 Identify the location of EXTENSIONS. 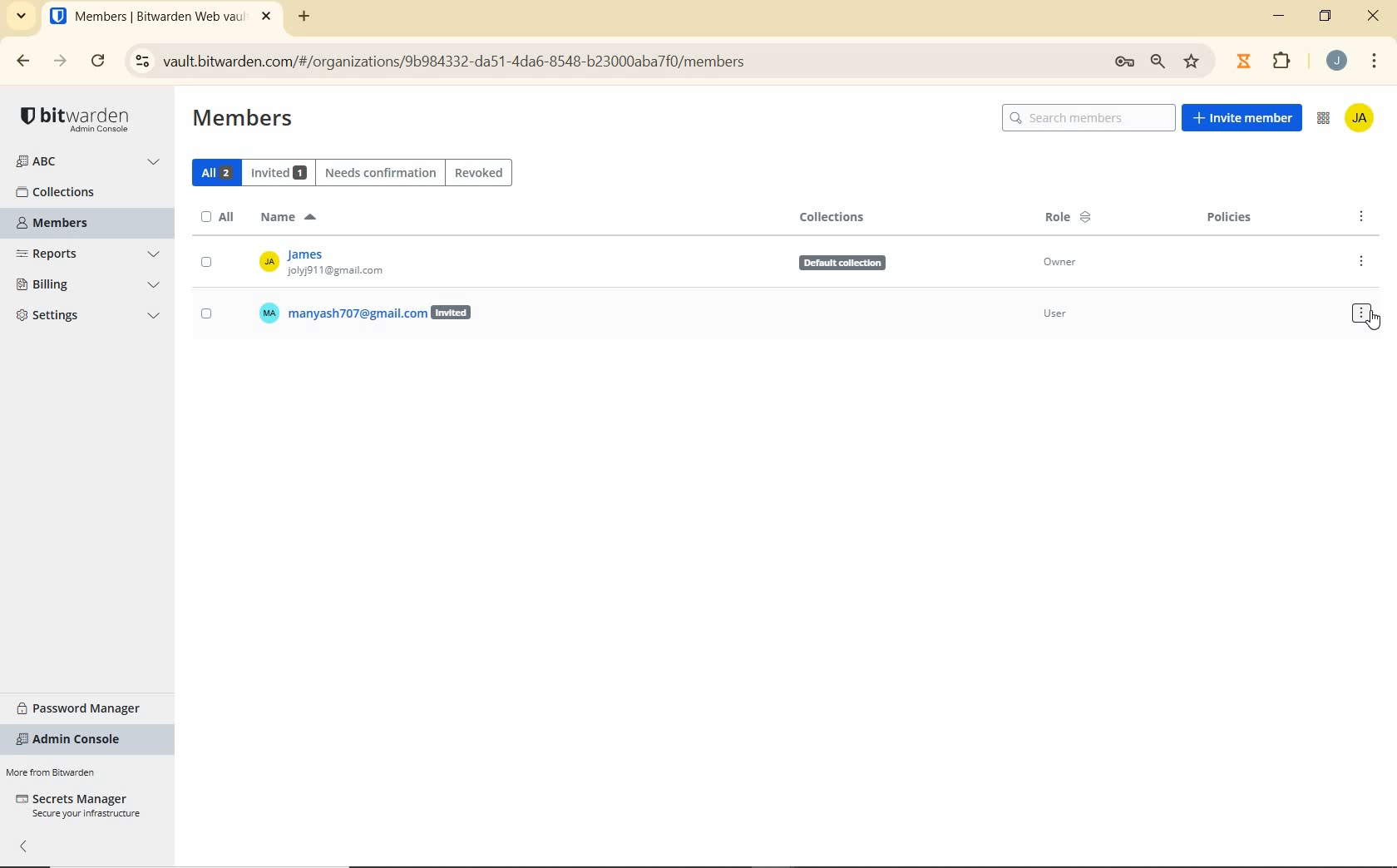
(1266, 60).